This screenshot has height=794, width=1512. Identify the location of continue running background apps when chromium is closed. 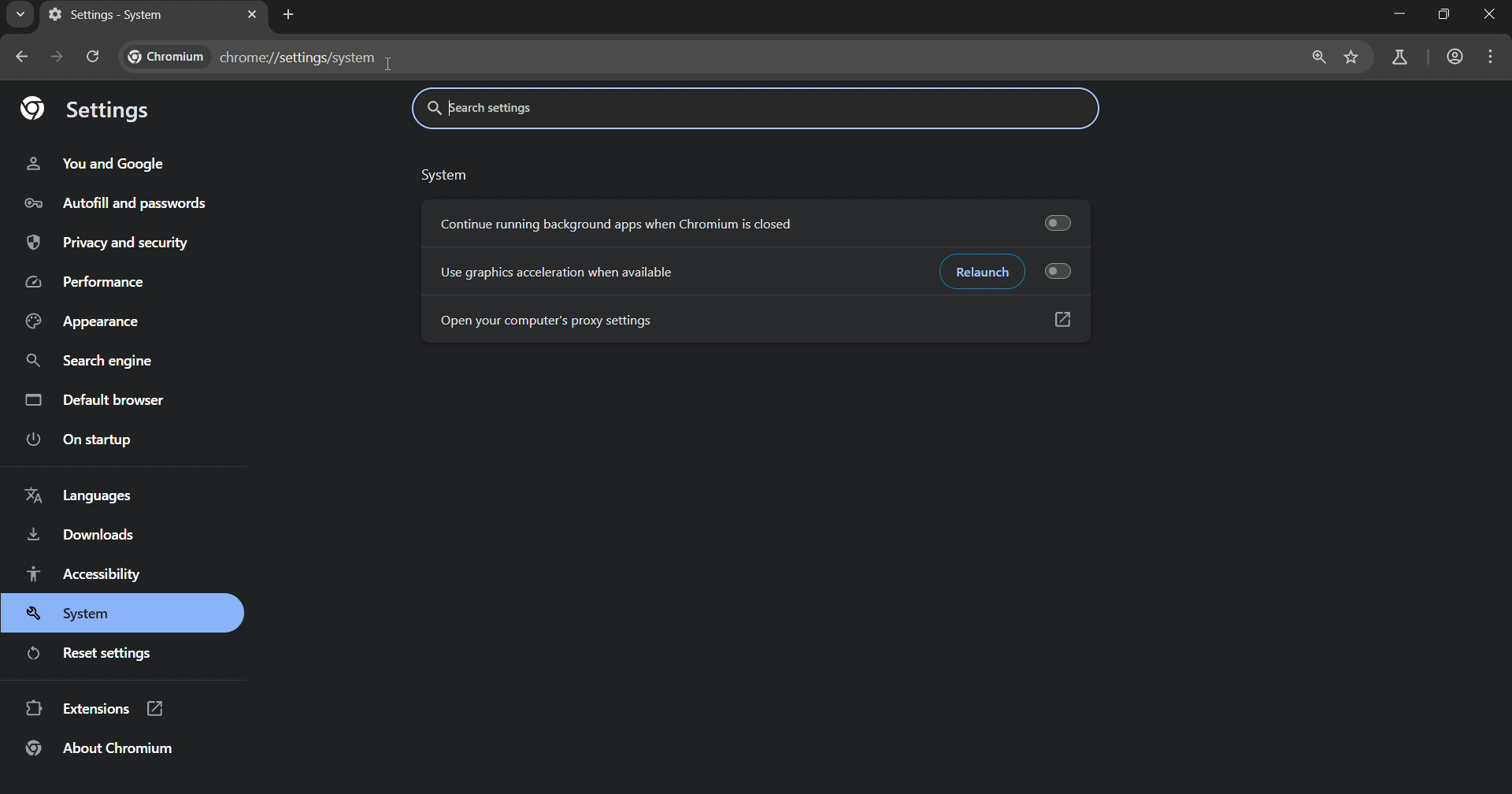
(622, 226).